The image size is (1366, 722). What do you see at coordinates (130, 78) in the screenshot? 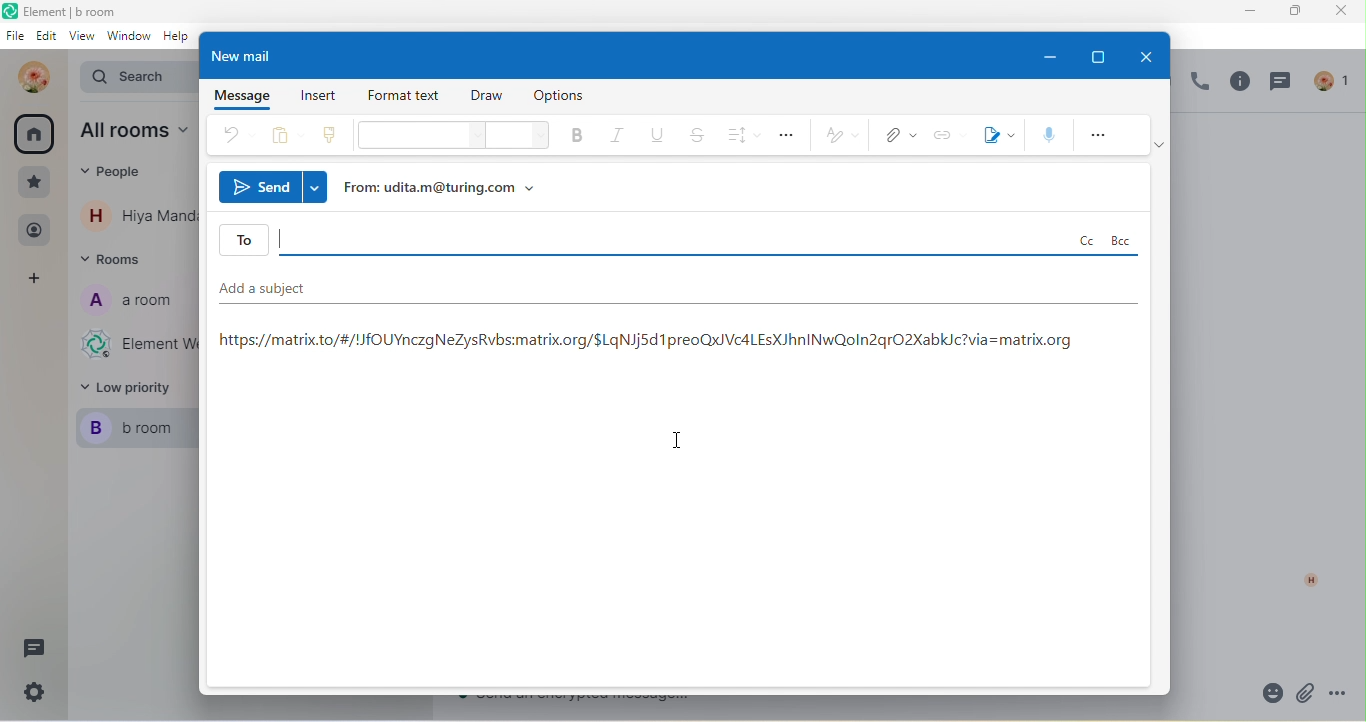
I see `Search` at bounding box center [130, 78].